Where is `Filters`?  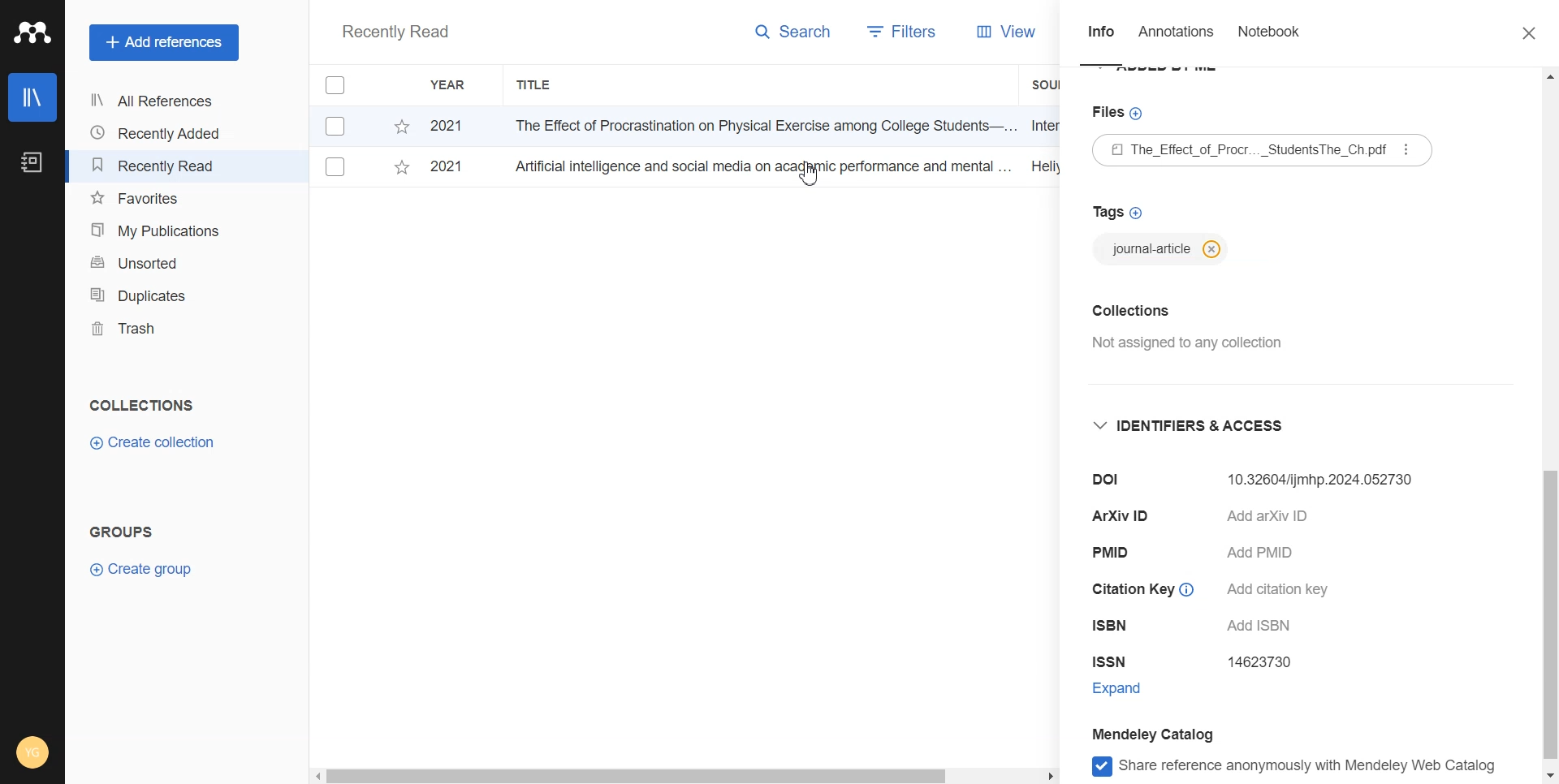 Filters is located at coordinates (896, 33).